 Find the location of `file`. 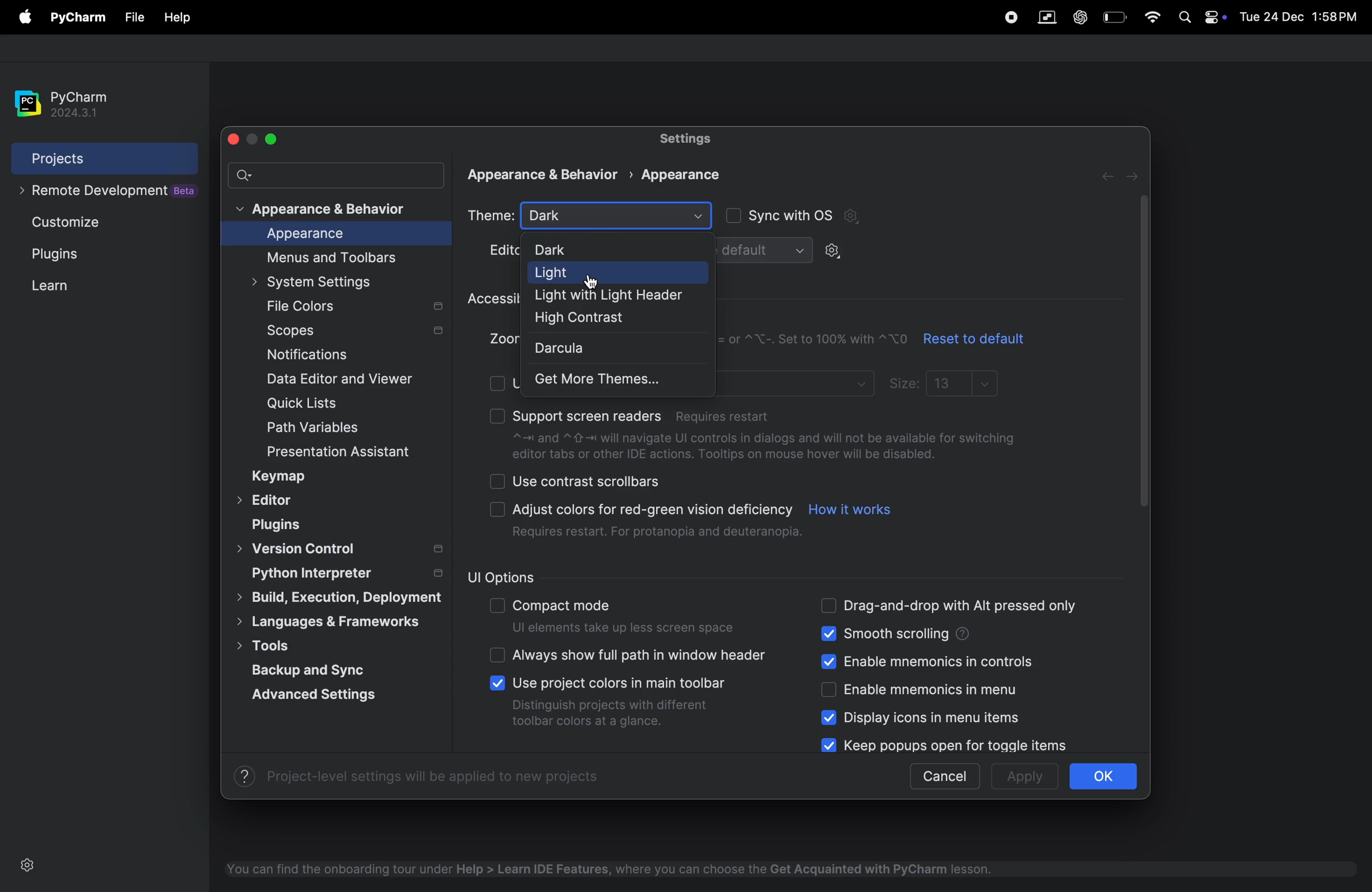

file is located at coordinates (135, 17).